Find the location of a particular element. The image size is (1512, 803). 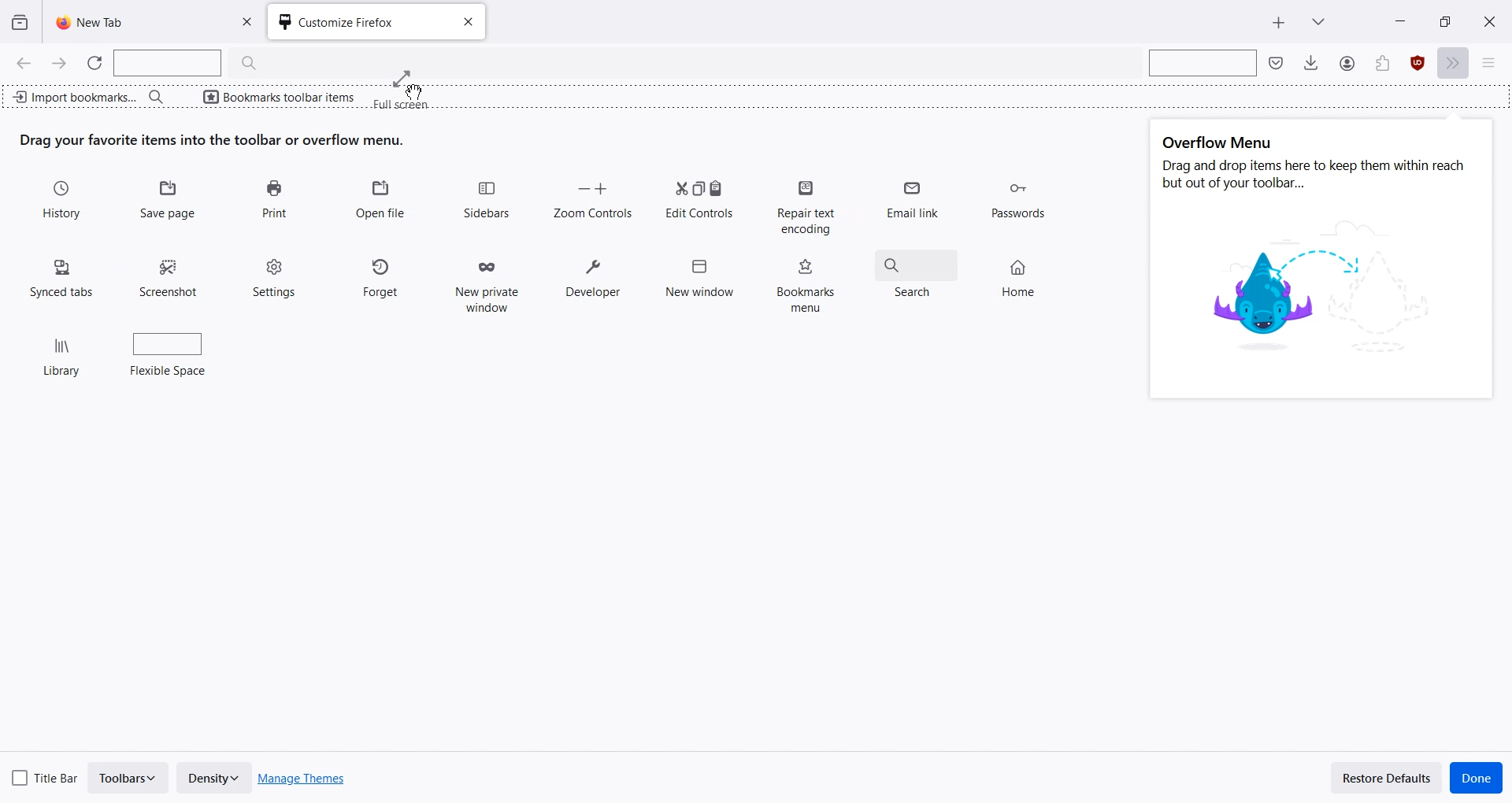

Drag Cursor is located at coordinates (402, 90).